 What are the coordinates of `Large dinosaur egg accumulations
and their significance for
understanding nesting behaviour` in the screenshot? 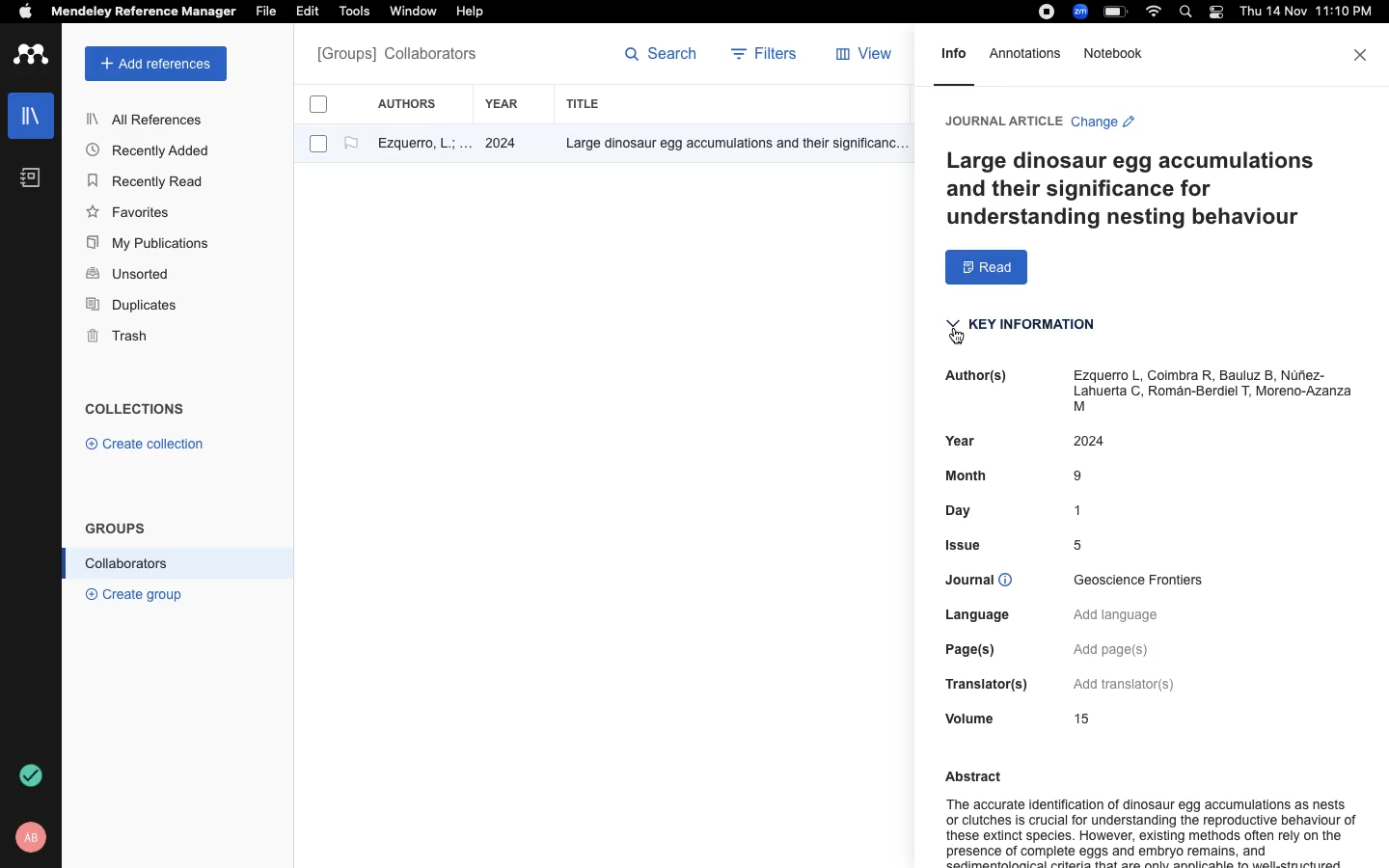 It's located at (1137, 189).